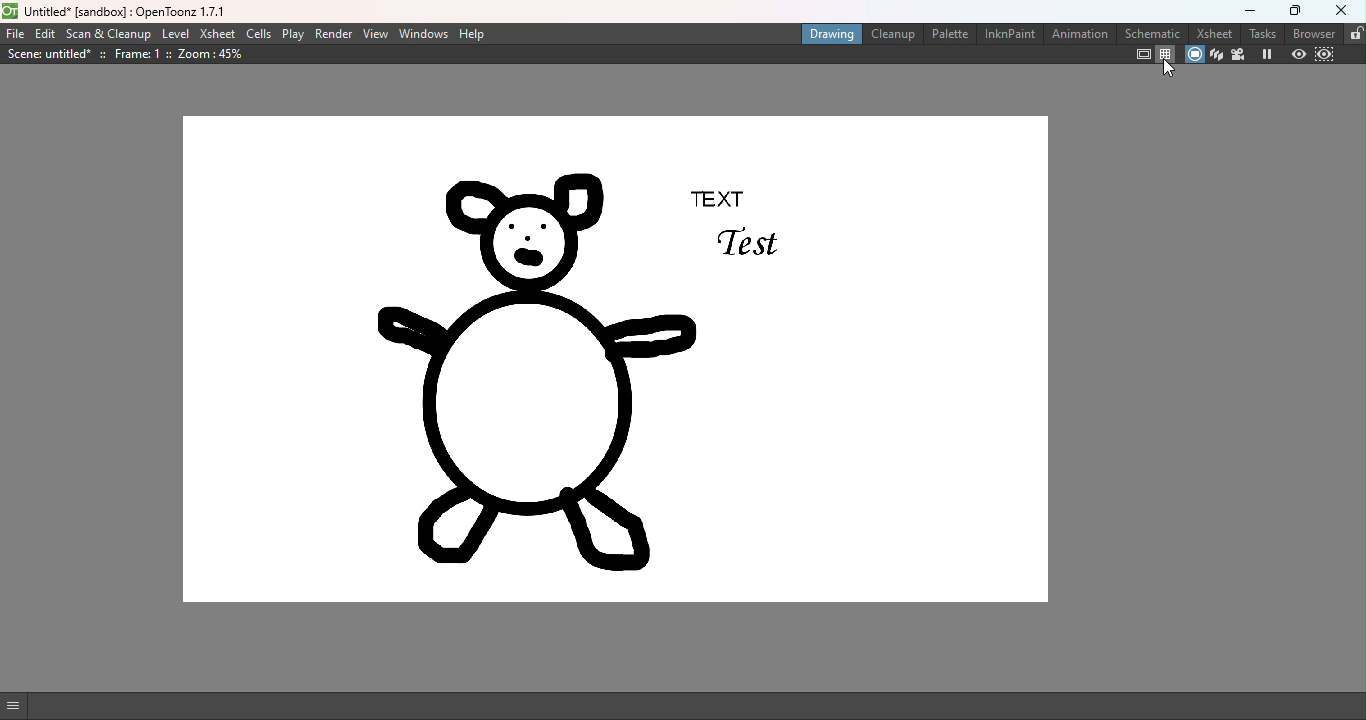  What do you see at coordinates (1194, 54) in the screenshot?
I see `Camera stand view` at bounding box center [1194, 54].